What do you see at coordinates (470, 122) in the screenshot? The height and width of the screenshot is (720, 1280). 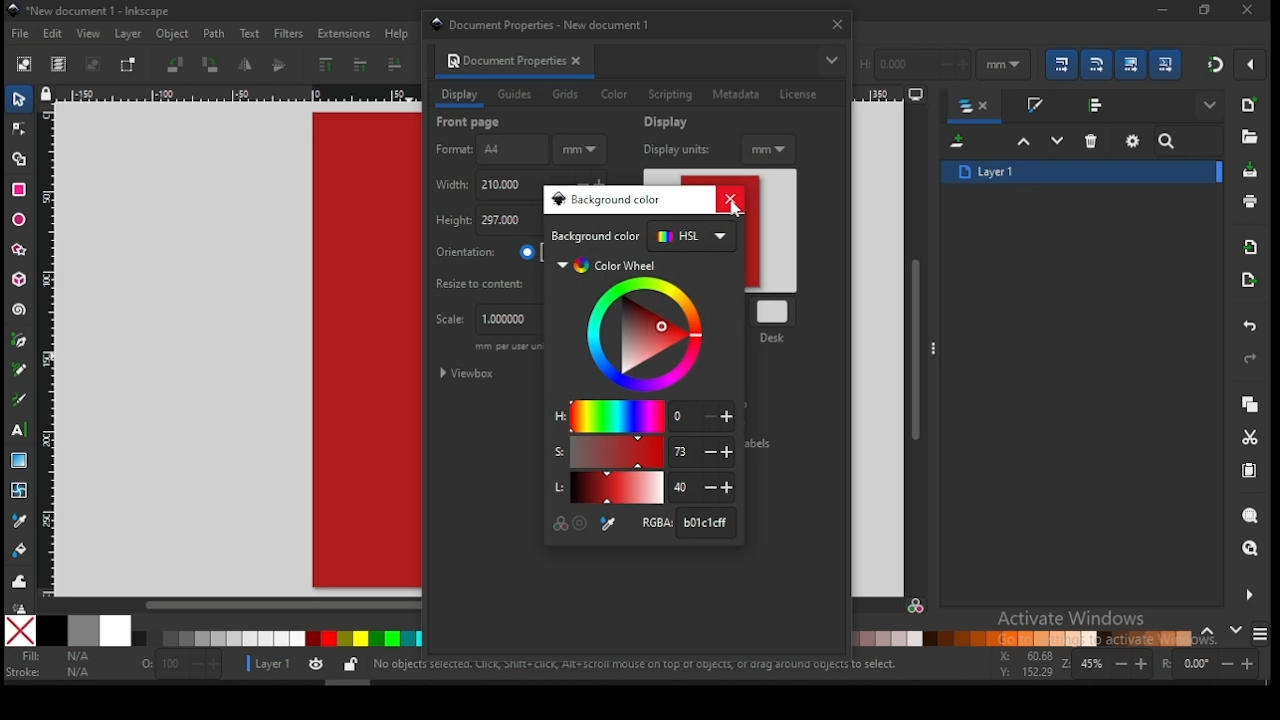 I see `front page` at bounding box center [470, 122].